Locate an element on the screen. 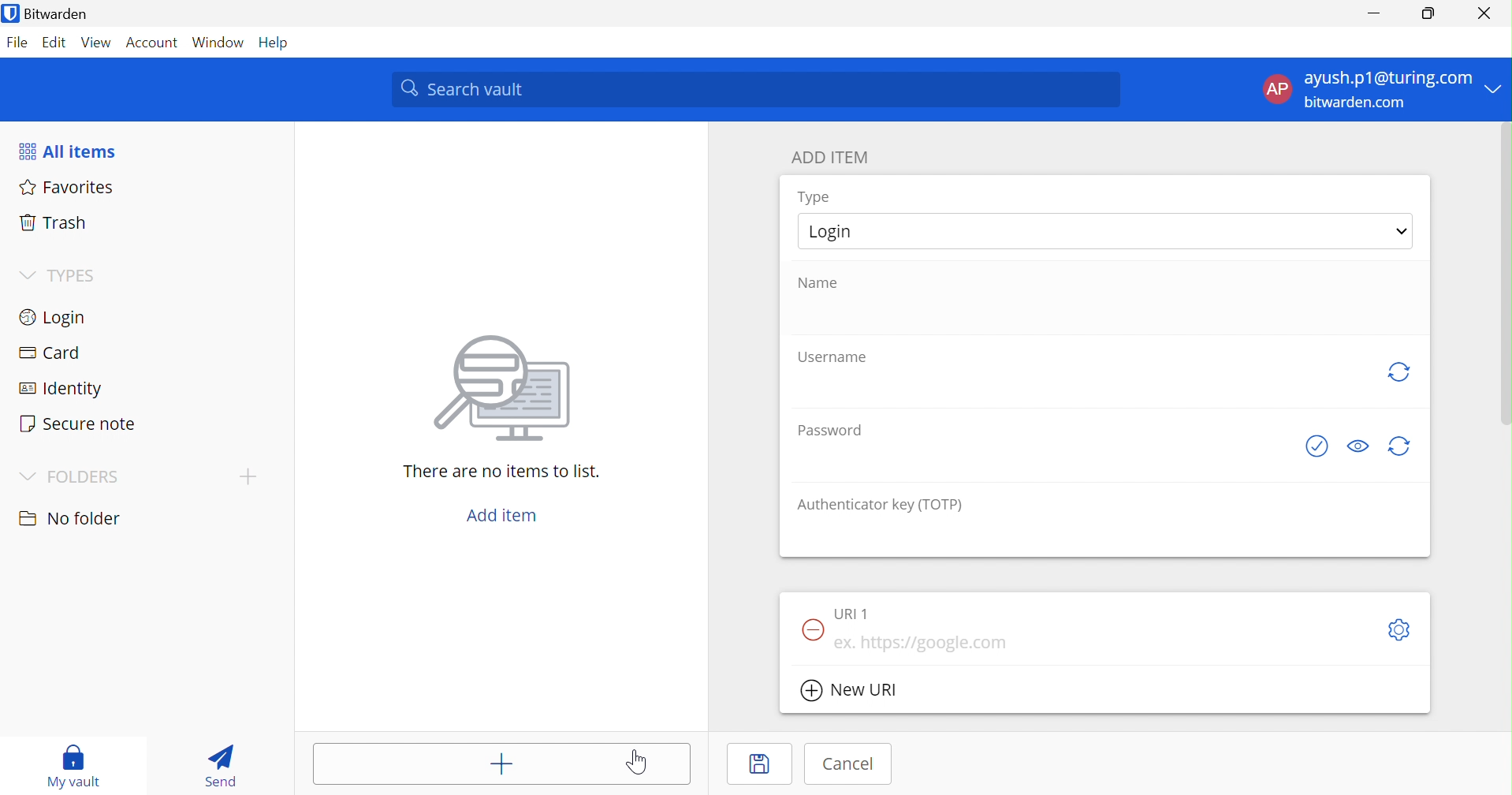  ADD ITEM is located at coordinates (832, 159).